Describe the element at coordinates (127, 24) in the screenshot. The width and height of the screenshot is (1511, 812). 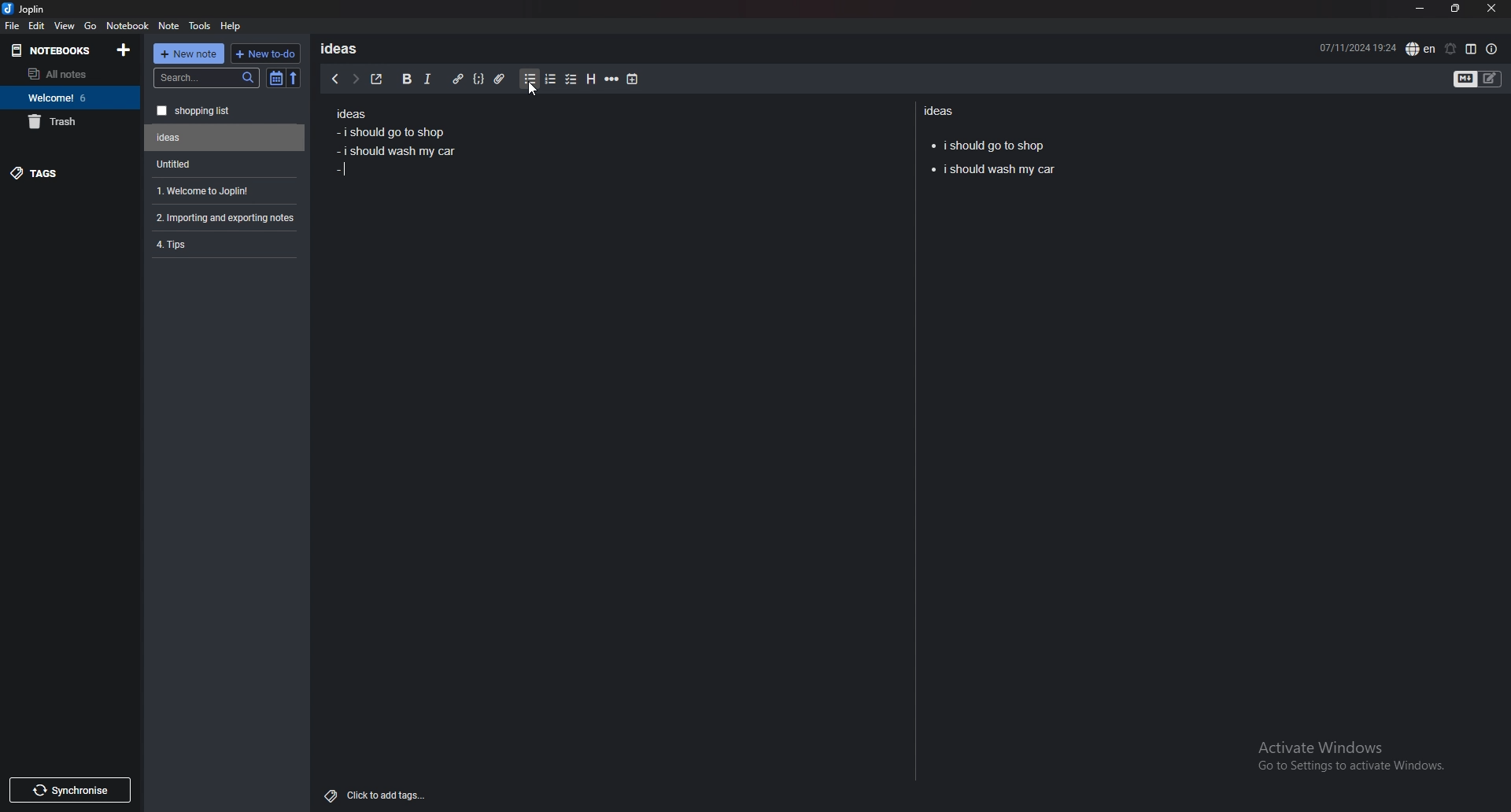
I see `notebook` at that location.